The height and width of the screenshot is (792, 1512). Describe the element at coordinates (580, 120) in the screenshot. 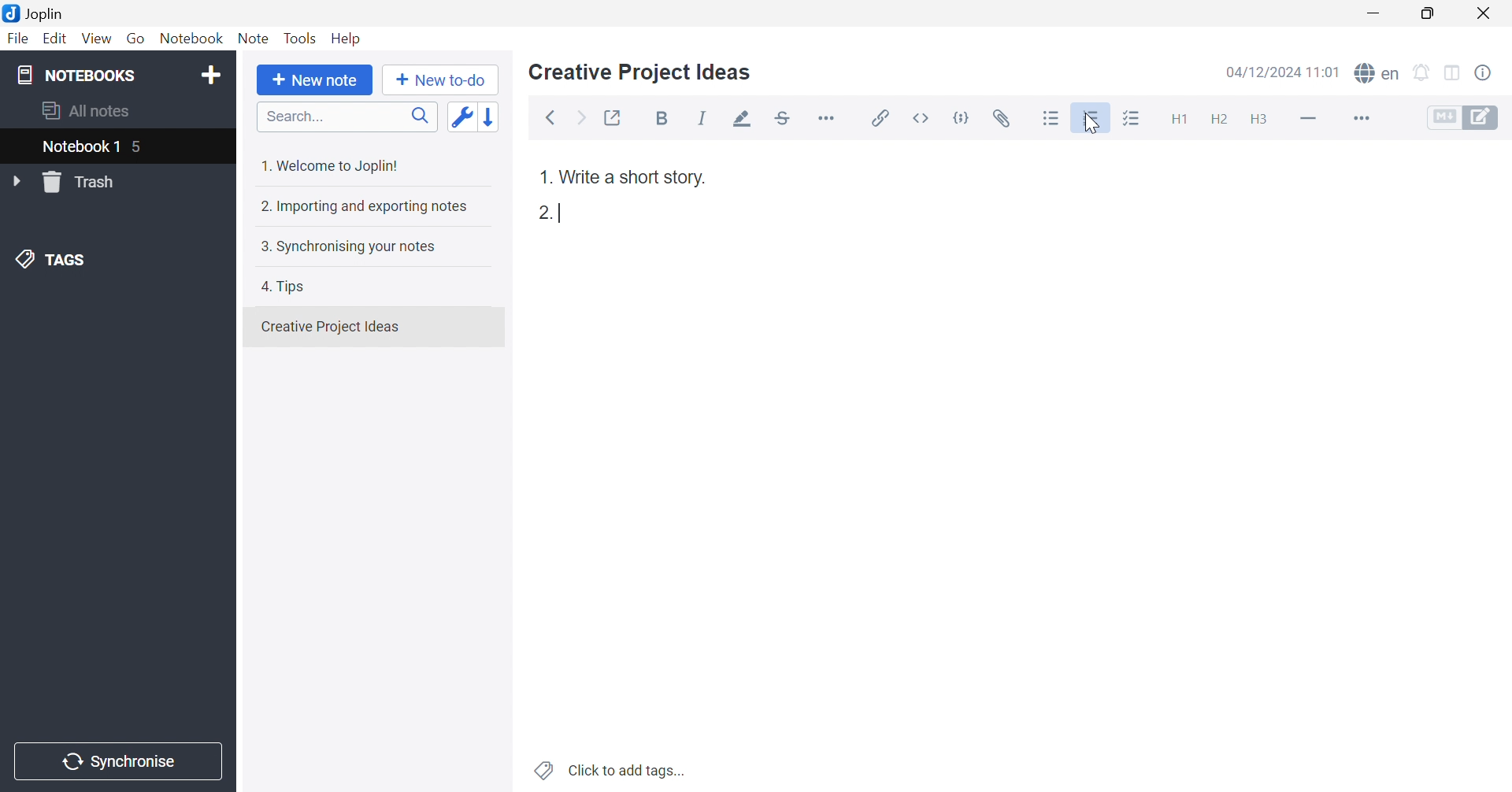

I see `Forward` at that location.